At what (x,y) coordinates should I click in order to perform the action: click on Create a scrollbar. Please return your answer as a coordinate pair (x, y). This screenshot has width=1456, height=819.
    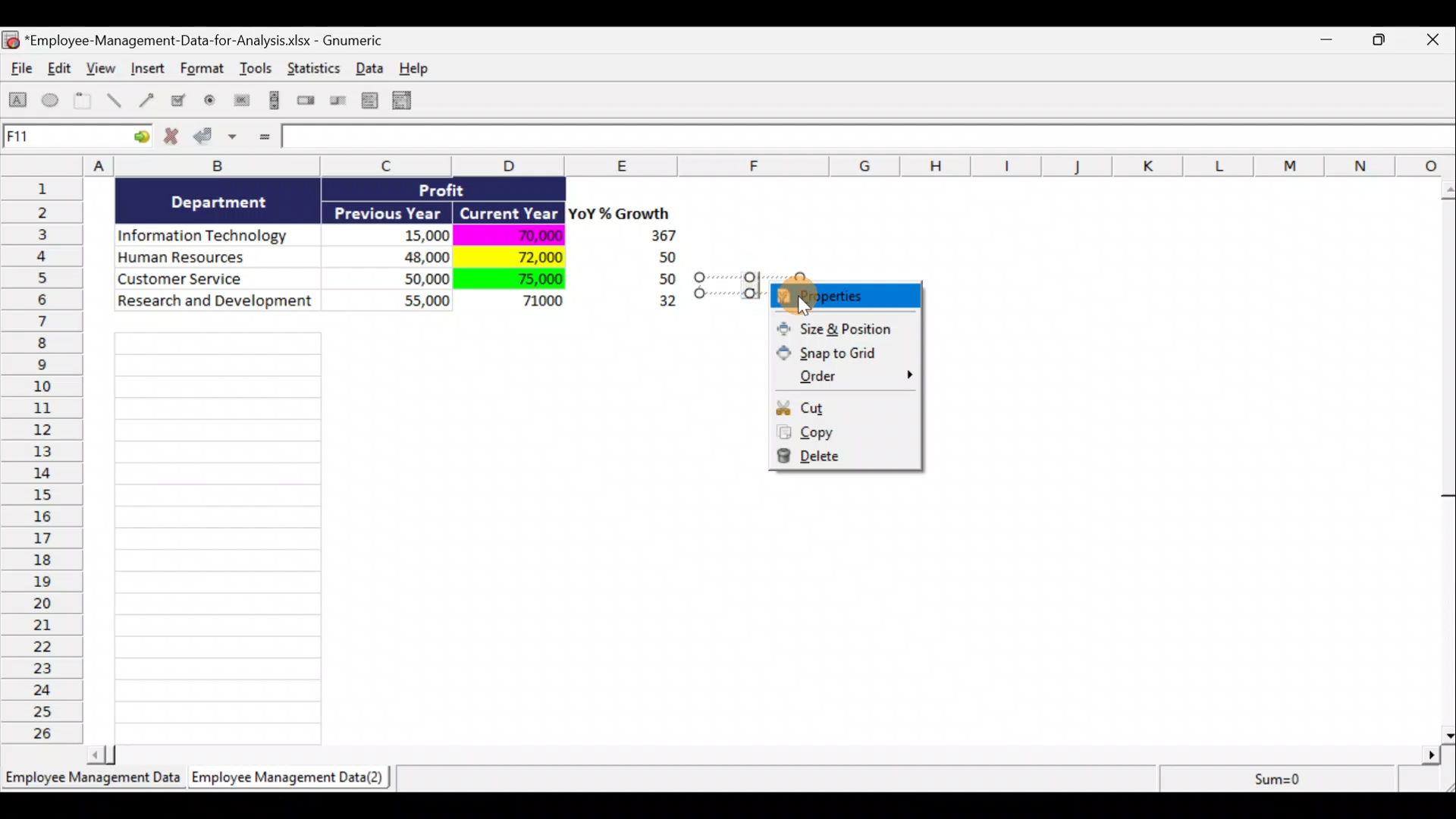
    Looking at the image, I should click on (272, 103).